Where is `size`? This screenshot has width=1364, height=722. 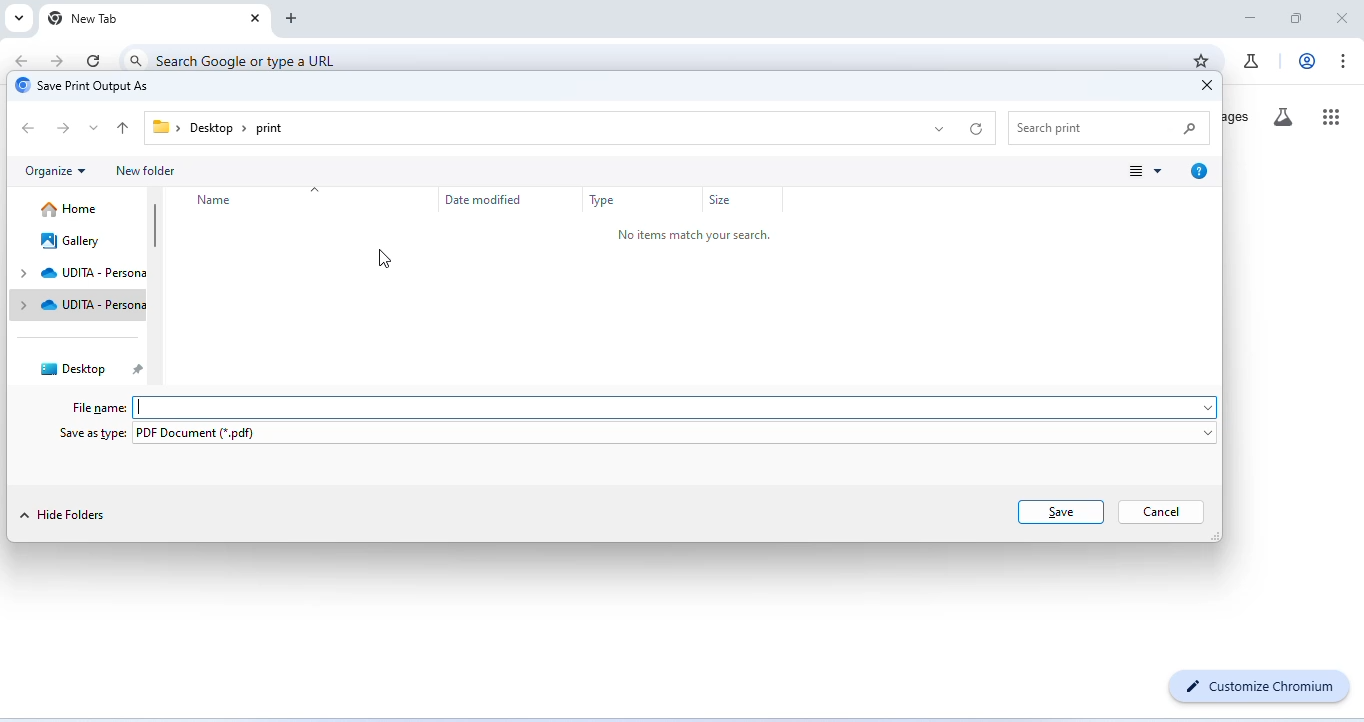
size is located at coordinates (725, 203).